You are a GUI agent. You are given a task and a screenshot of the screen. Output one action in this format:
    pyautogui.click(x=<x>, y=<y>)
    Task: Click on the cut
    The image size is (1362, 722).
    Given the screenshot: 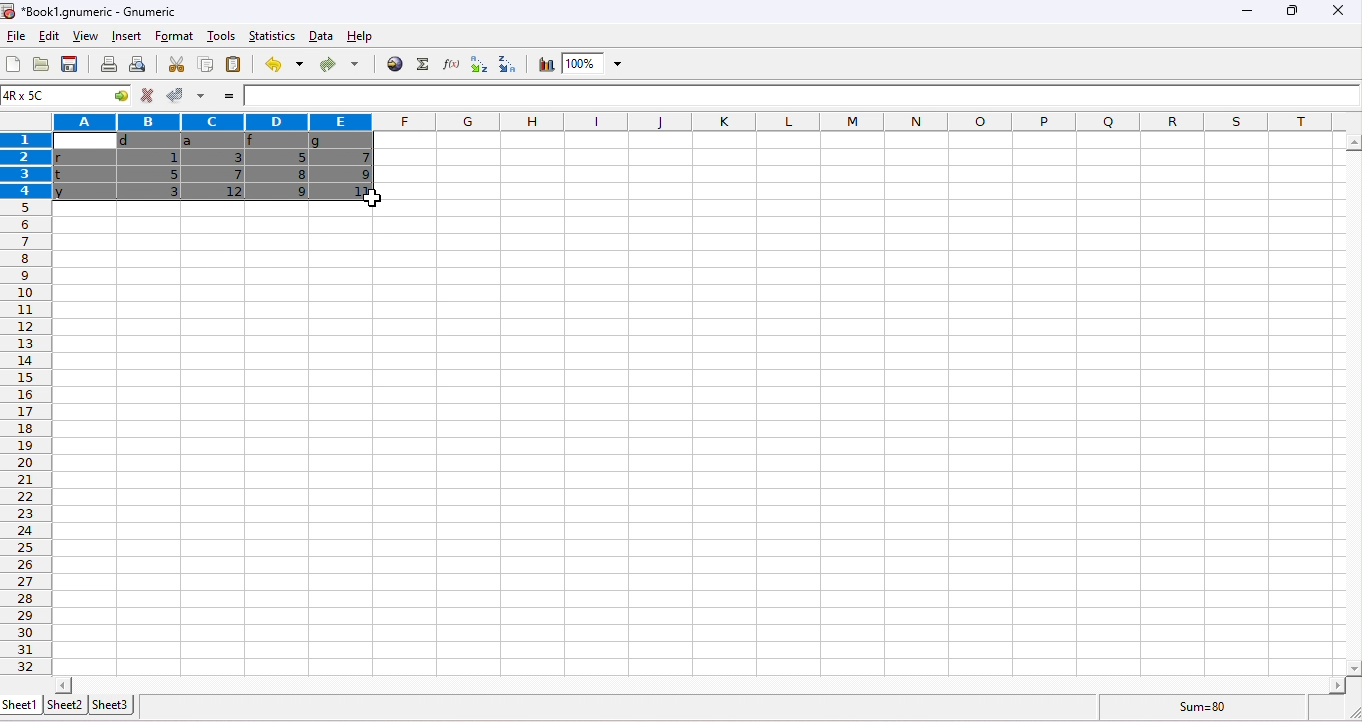 What is the action you would take?
    pyautogui.click(x=179, y=64)
    